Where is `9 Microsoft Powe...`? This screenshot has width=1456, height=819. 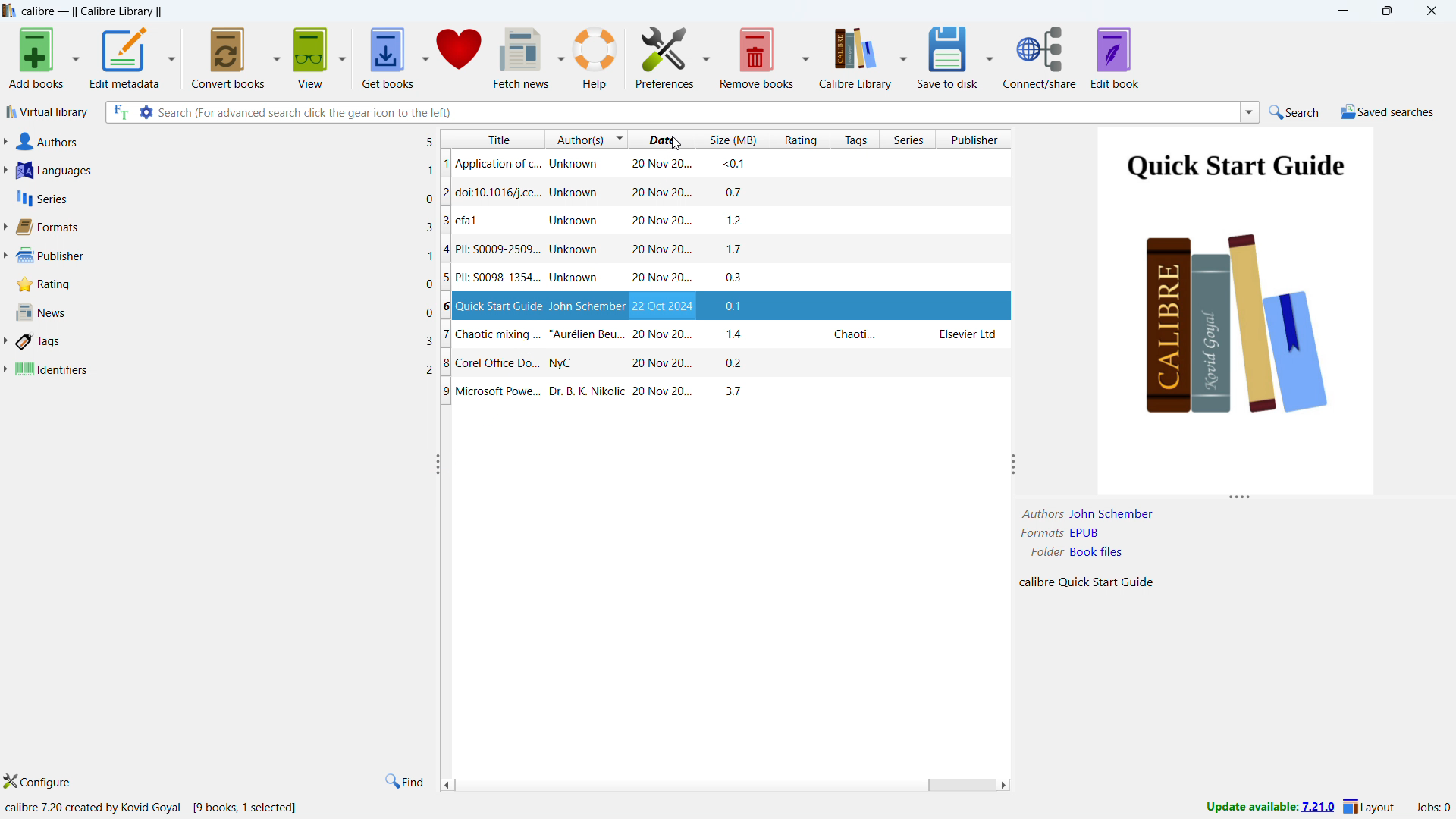
9 Microsoft Powe... is located at coordinates (491, 392).